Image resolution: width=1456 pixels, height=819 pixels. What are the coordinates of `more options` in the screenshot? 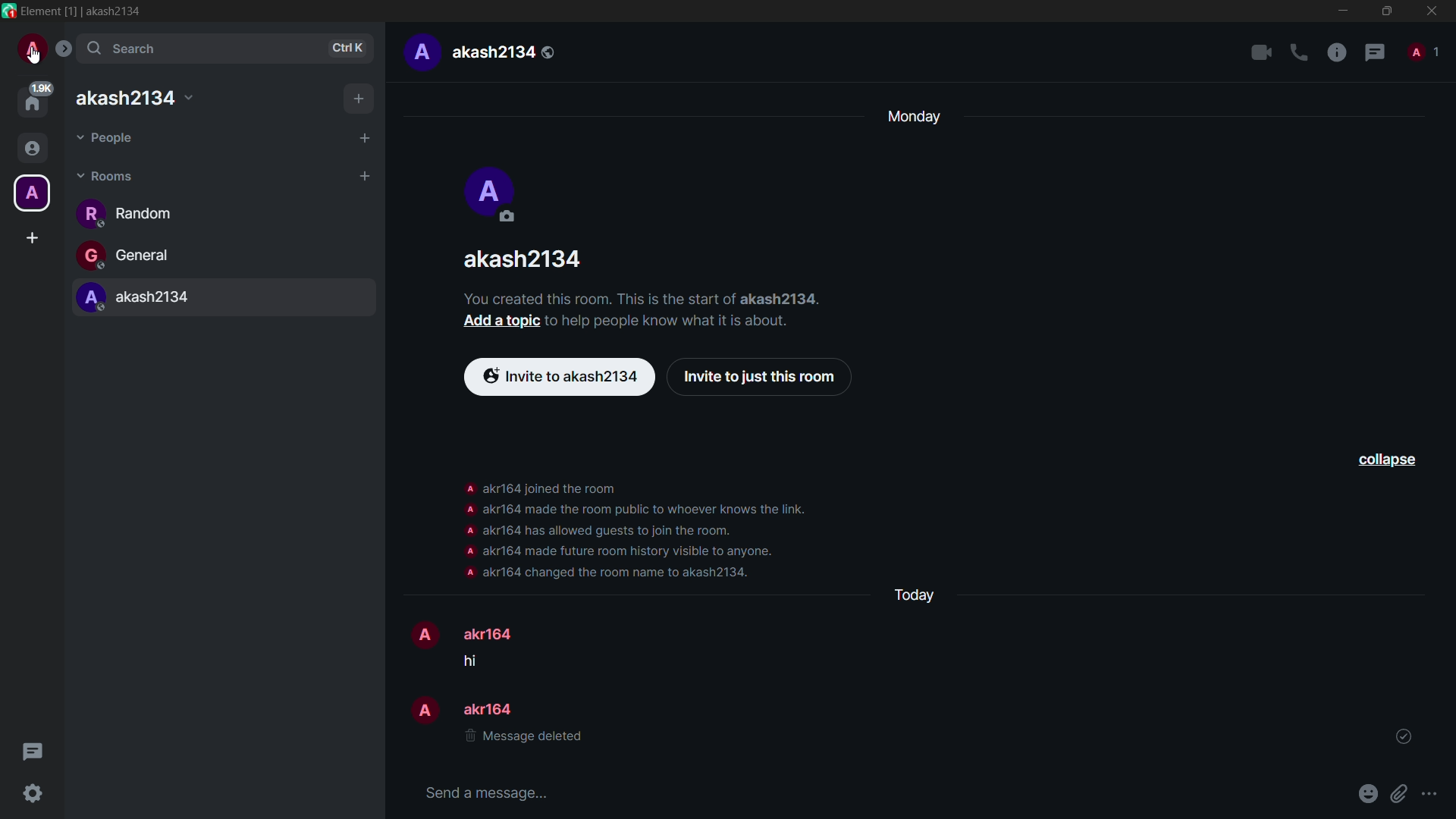 It's located at (1430, 795).